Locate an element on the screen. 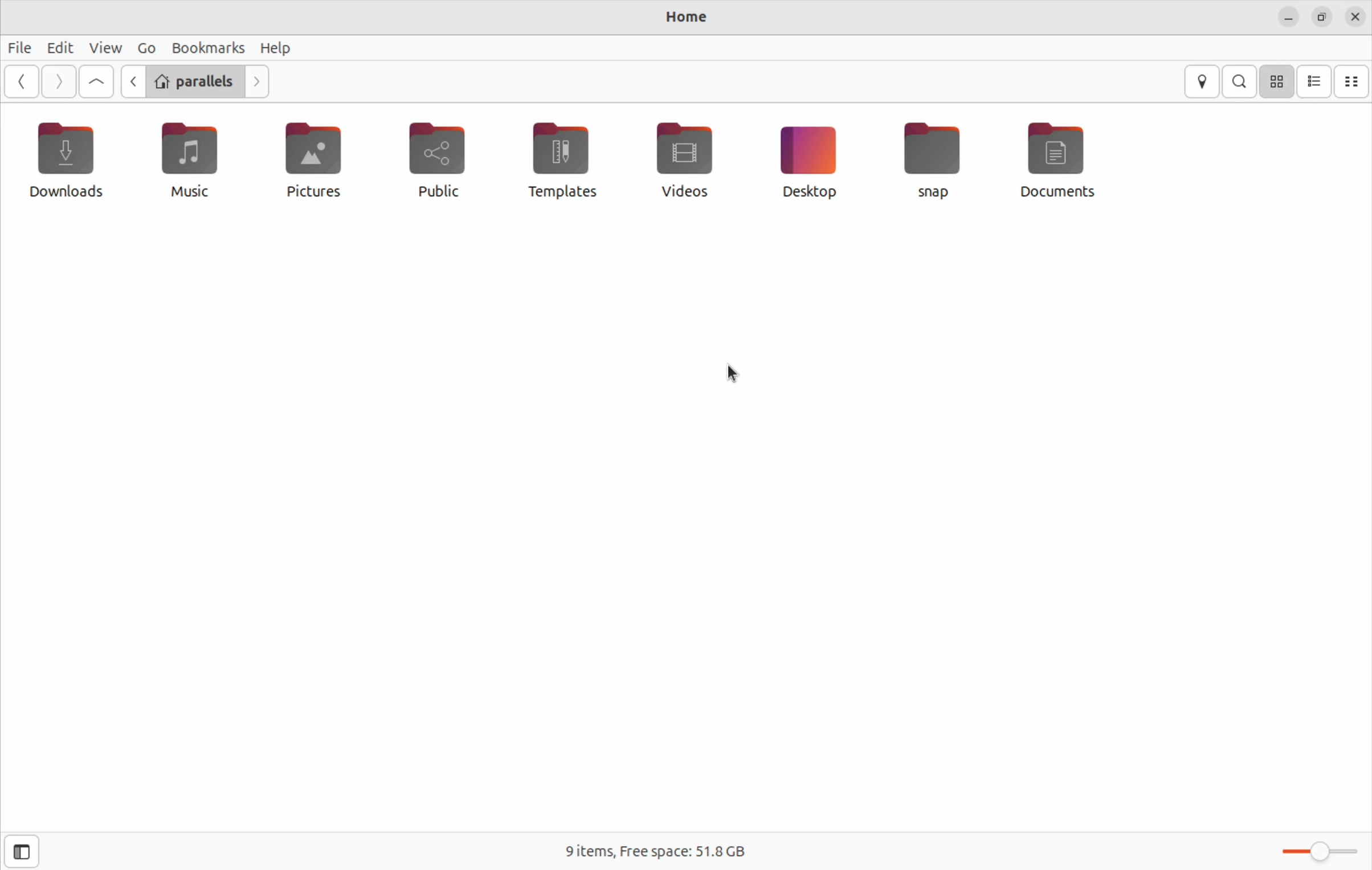 The width and height of the screenshot is (1372, 870). 9 items free space 51.38 Gb is located at coordinates (655, 851).